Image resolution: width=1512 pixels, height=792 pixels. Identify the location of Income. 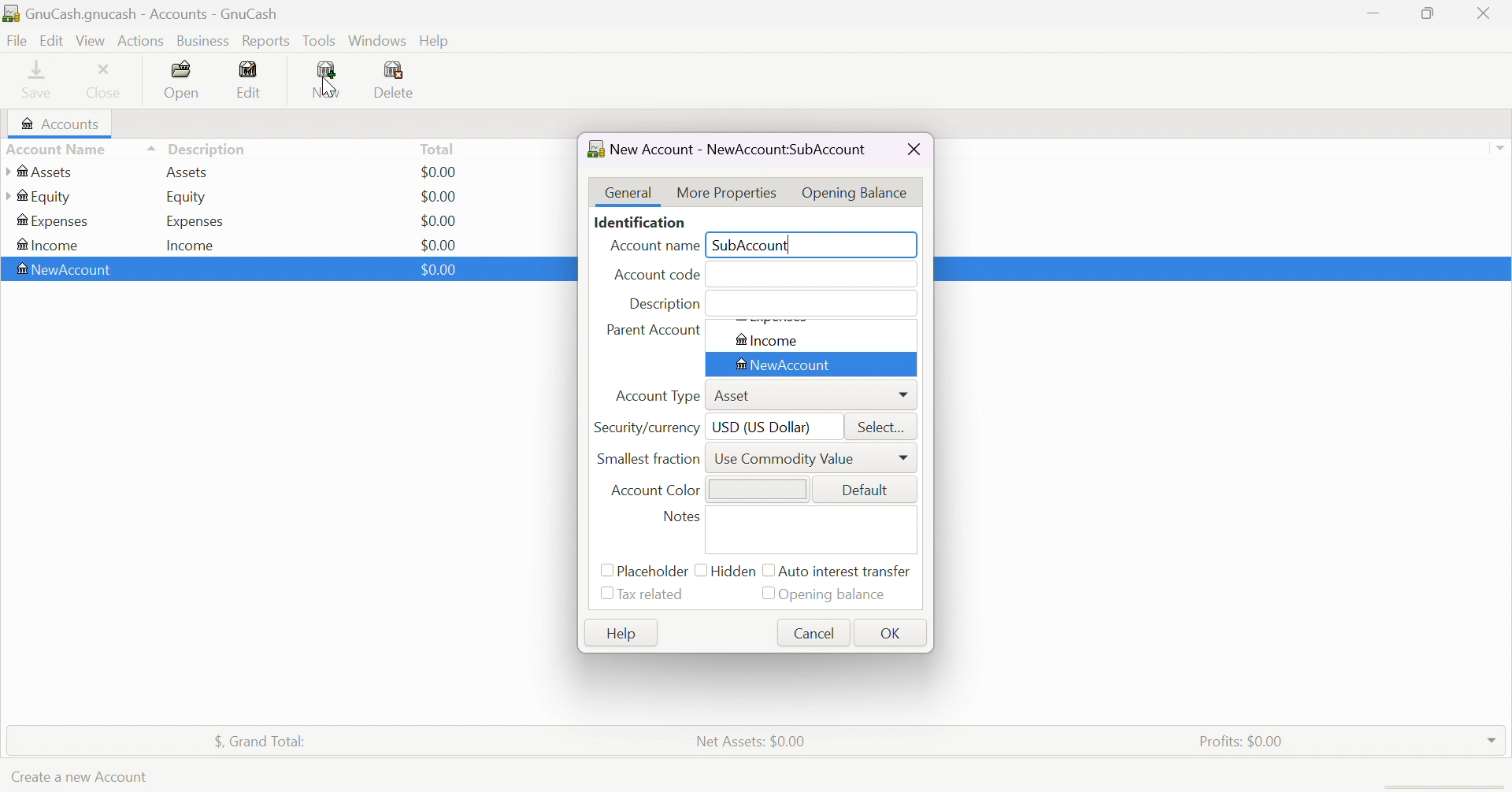
(53, 244).